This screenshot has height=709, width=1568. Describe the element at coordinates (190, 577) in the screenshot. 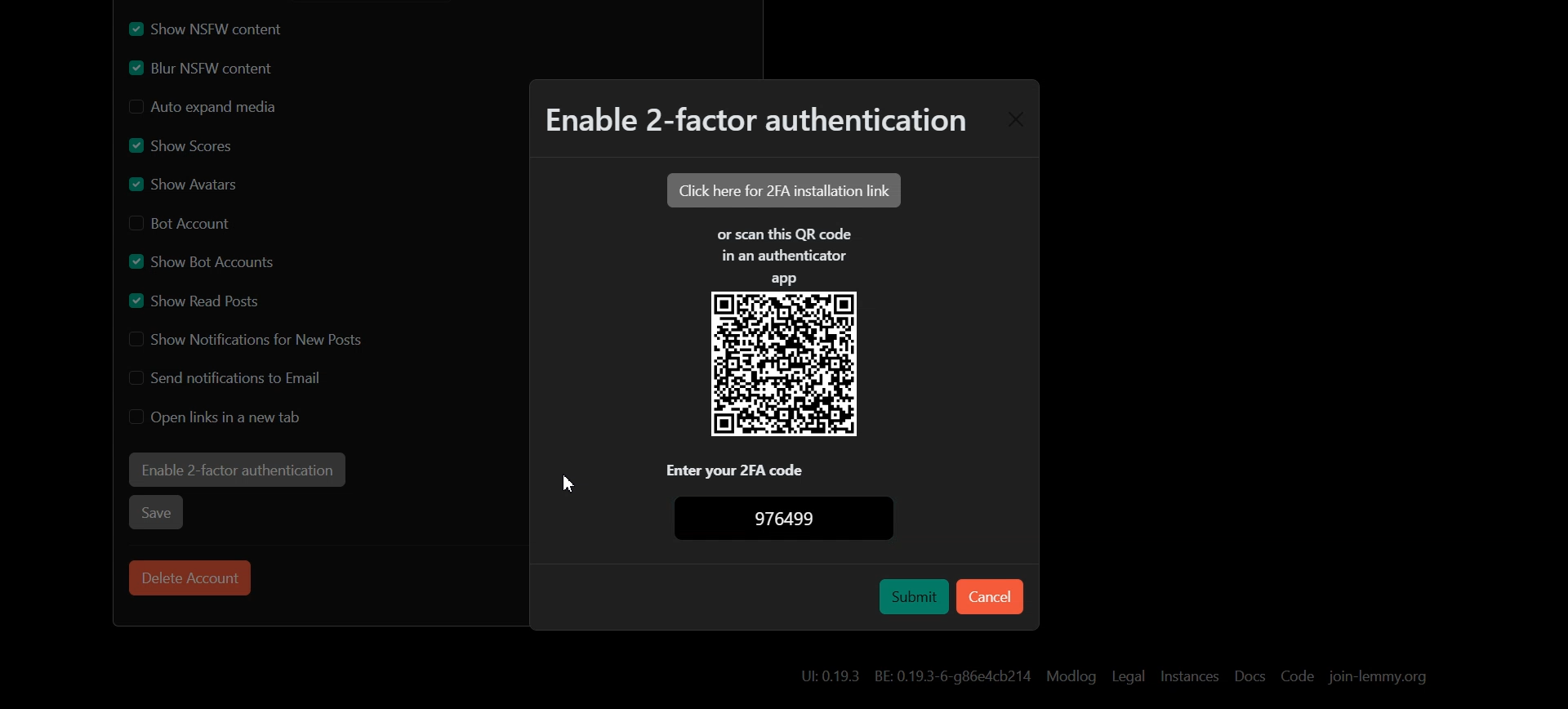

I see `Delete Account` at that location.